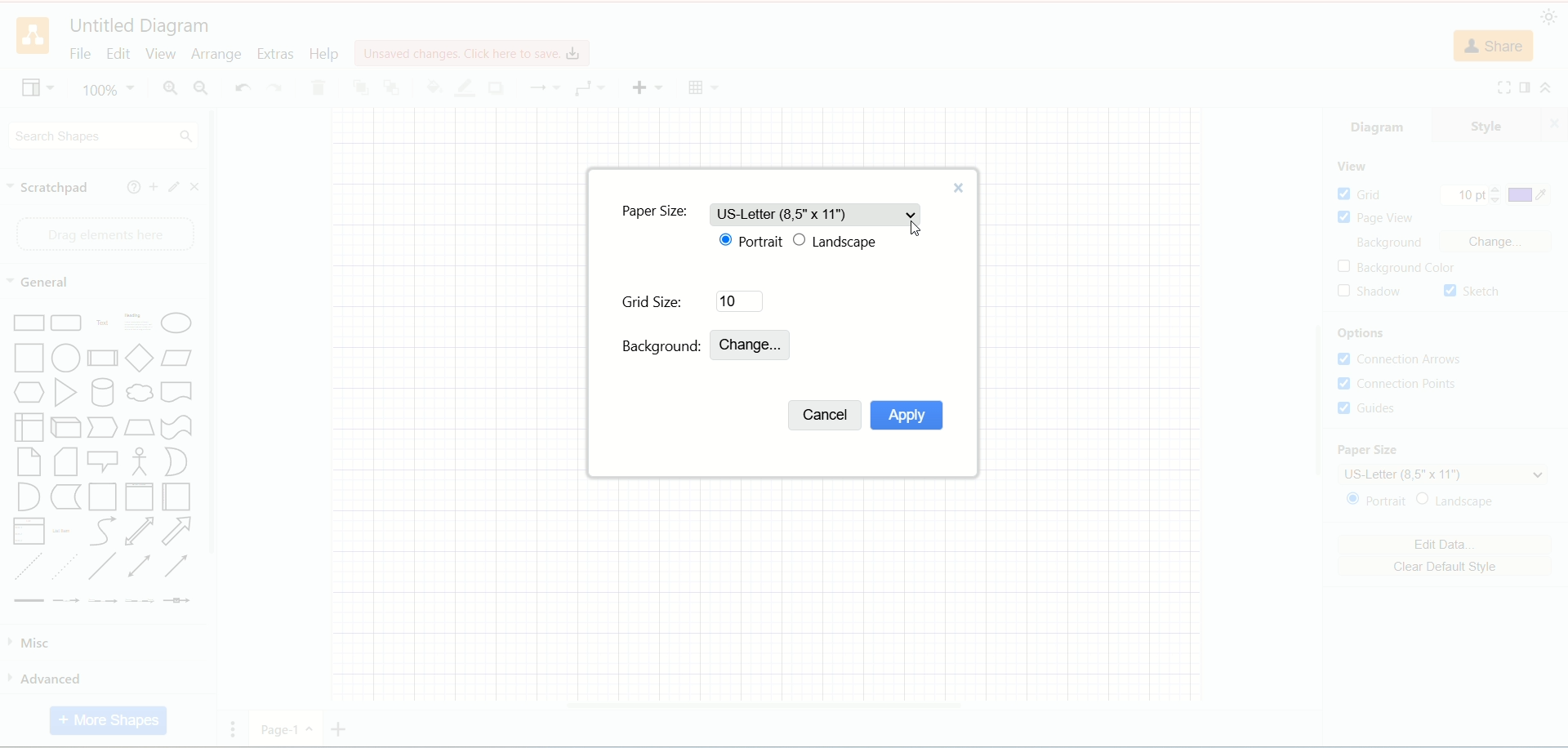 The width and height of the screenshot is (1568, 748). What do you see at coordinates (104, 463) in the screenshot?
I see `Callout` at bounding box center [104, 463].